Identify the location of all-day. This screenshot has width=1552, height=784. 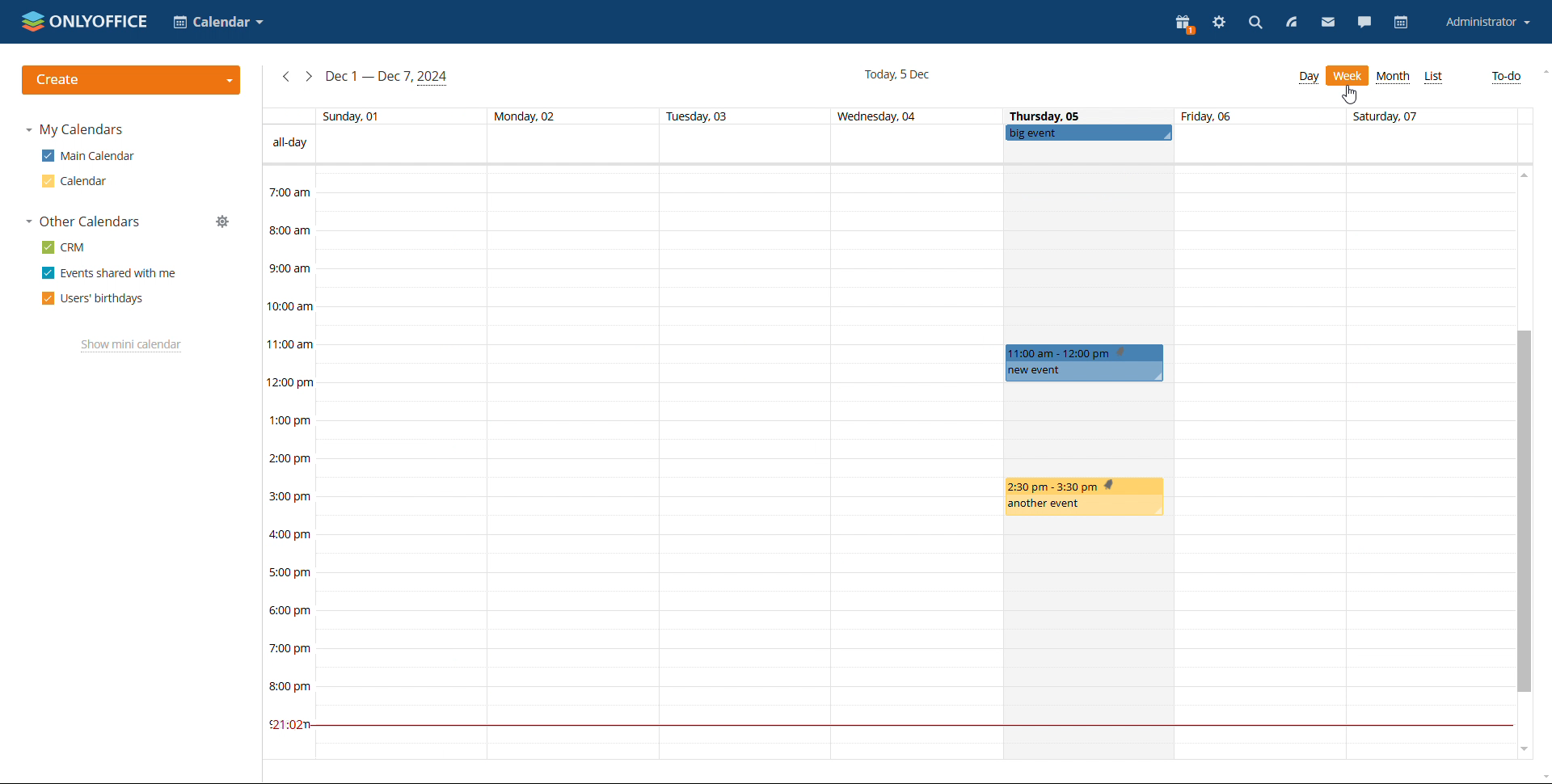
(289, 143).